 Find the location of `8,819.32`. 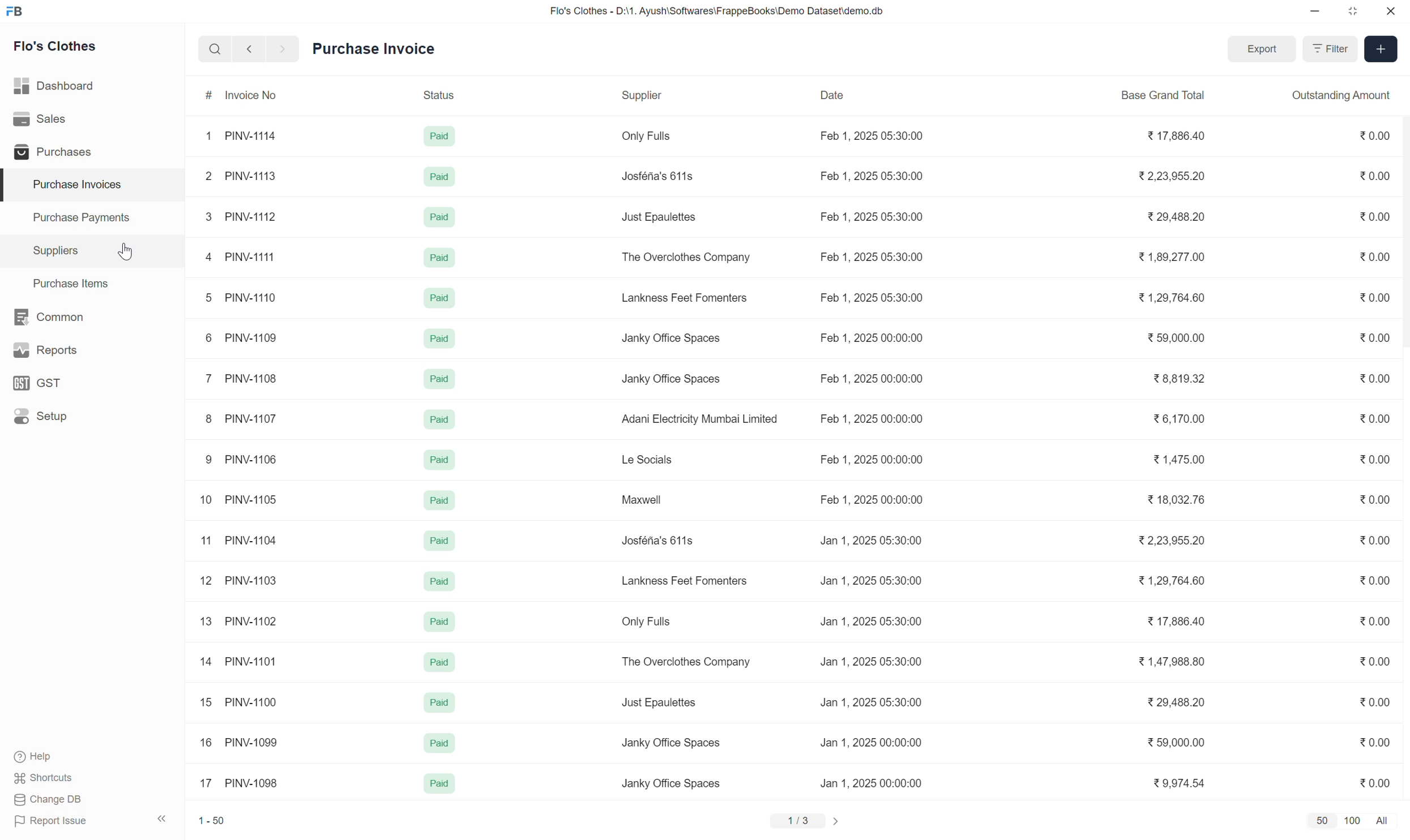

8,819.32 is located at coordinates (1178, 378).